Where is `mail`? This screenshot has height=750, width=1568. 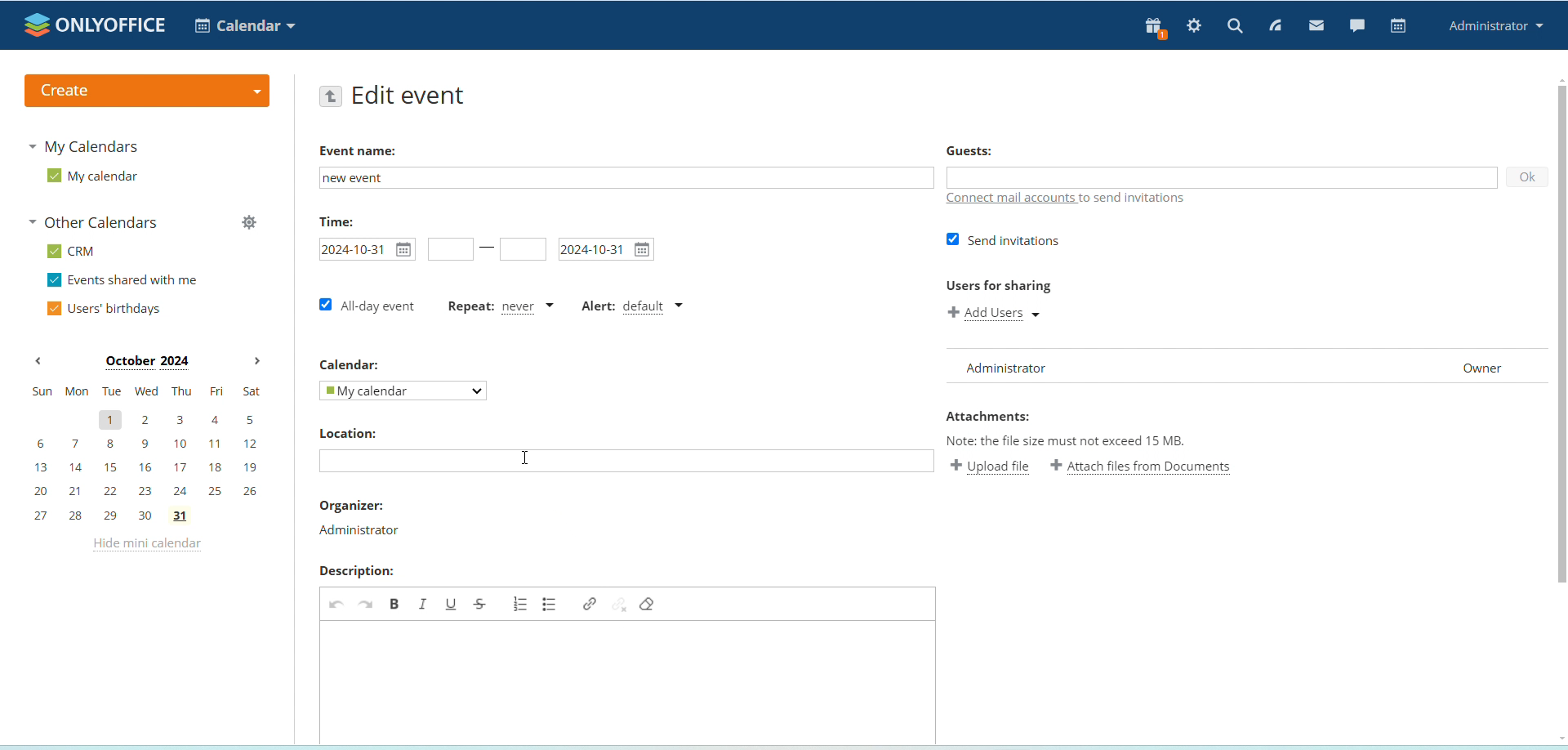
mail is located at coordinates (1317, 27).